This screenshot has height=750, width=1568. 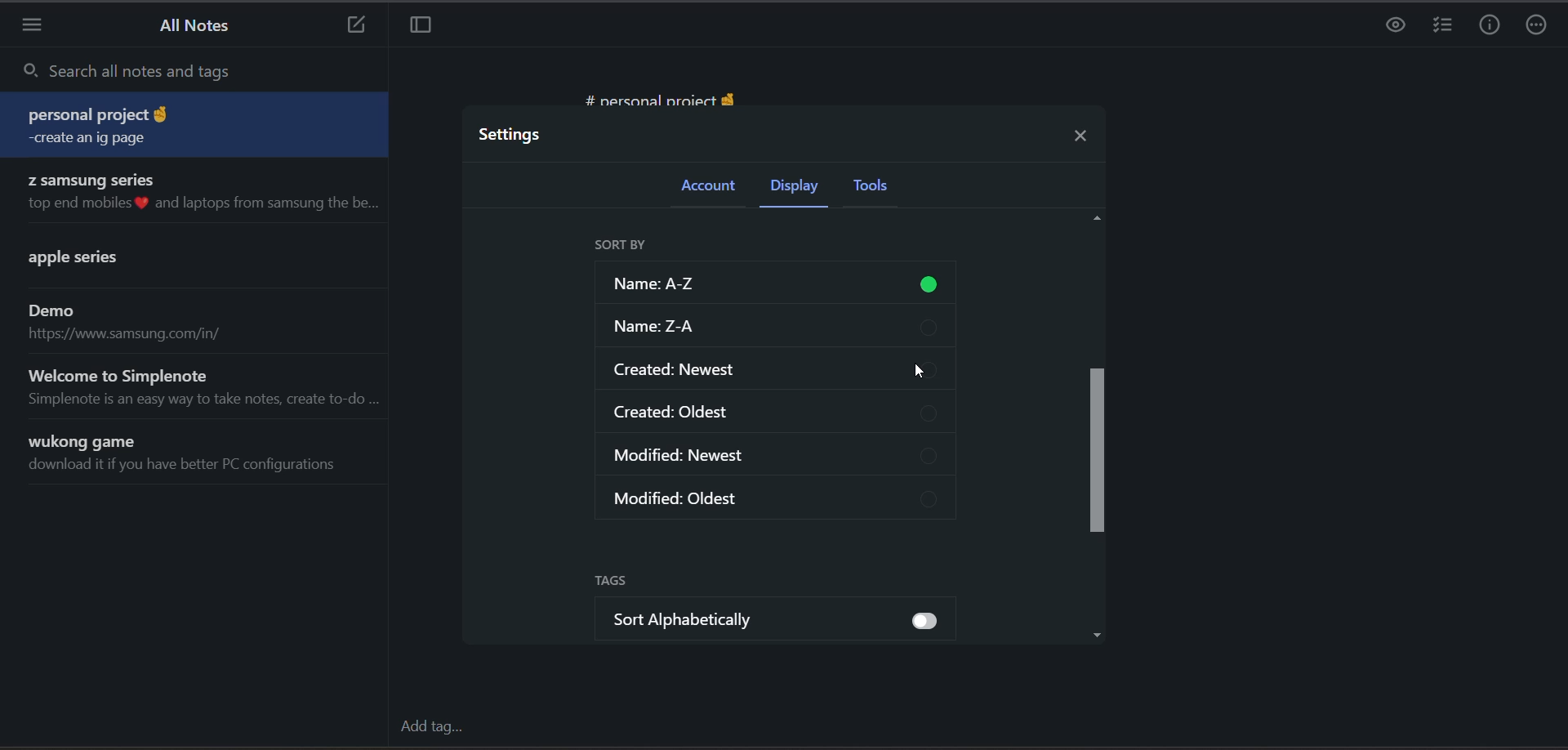 I want to click on note title and preview, so click(x=120, y=259).